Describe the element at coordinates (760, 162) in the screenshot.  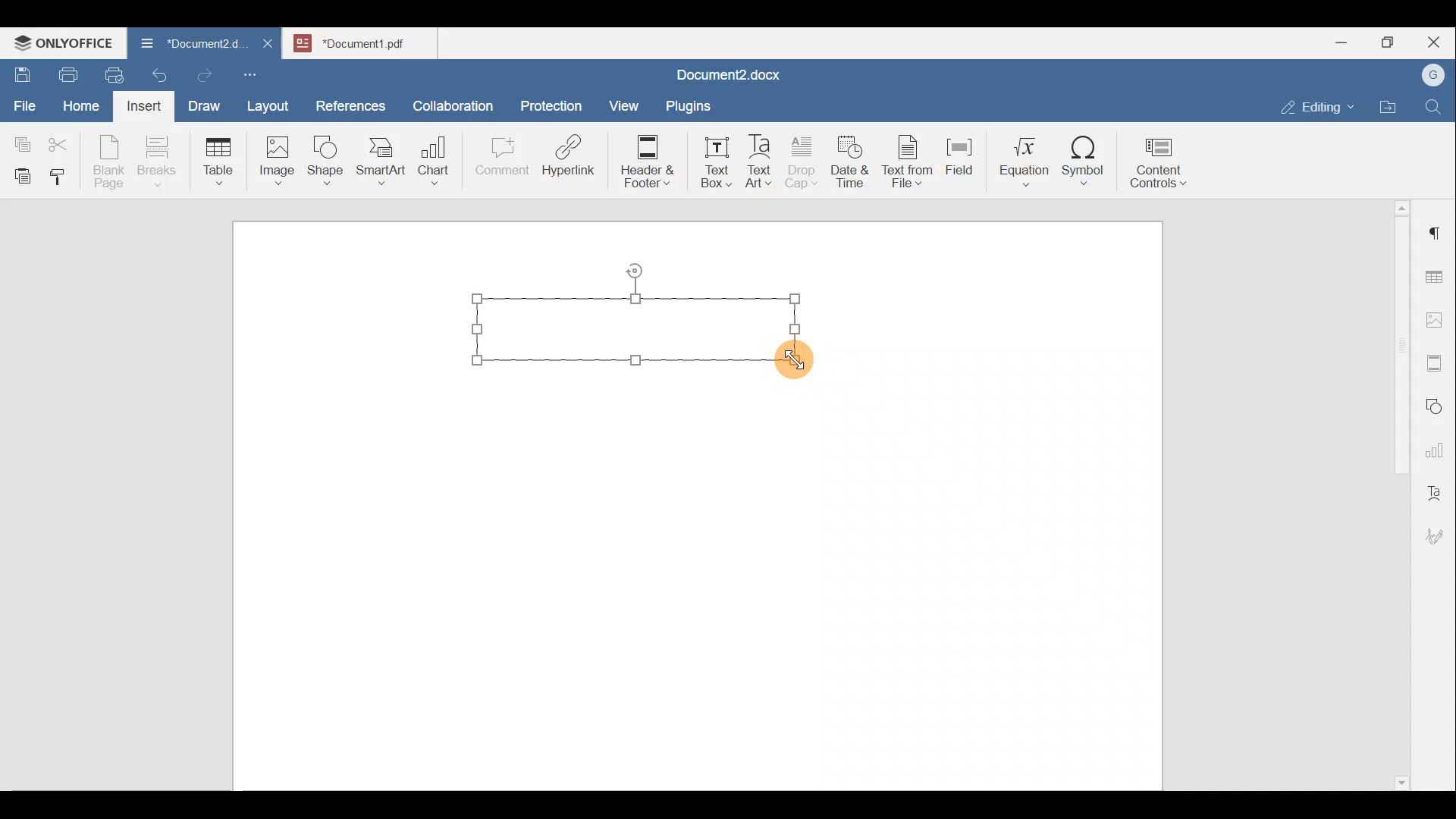
I see `Text Art` at that location.